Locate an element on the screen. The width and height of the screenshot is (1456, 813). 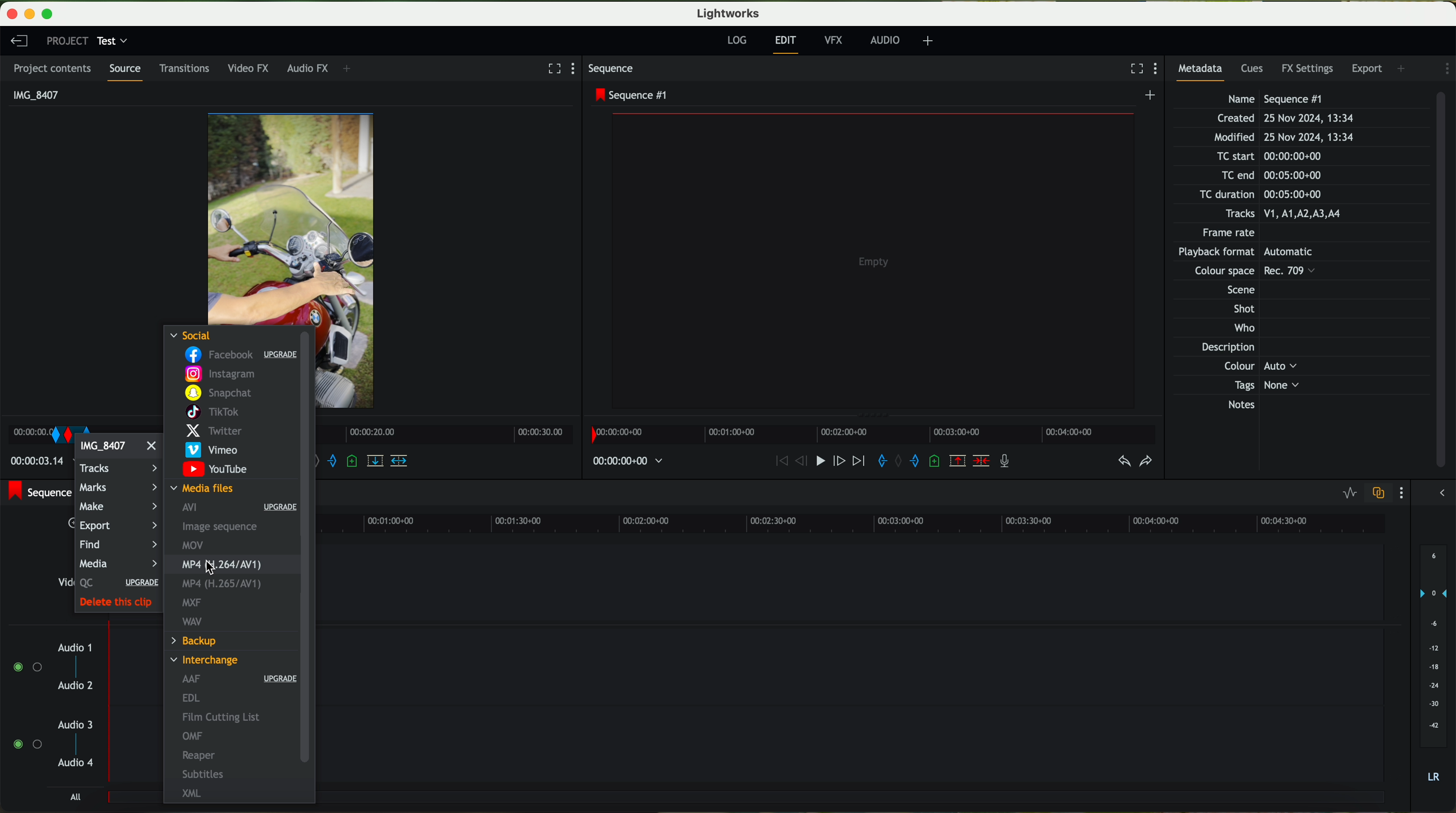
track is located at coordinates (862, 663).